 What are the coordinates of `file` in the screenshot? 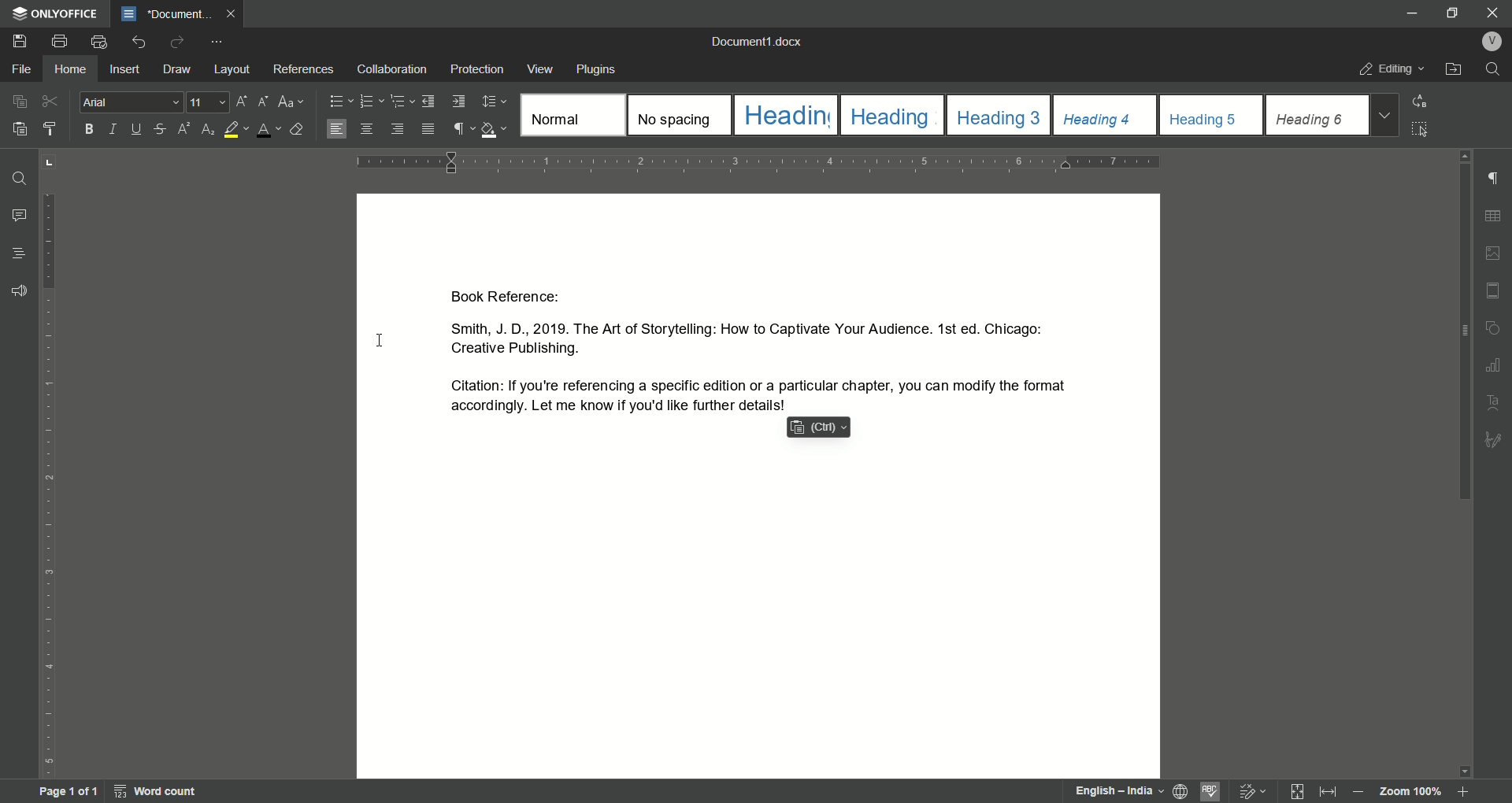 It's located at (21, 68).